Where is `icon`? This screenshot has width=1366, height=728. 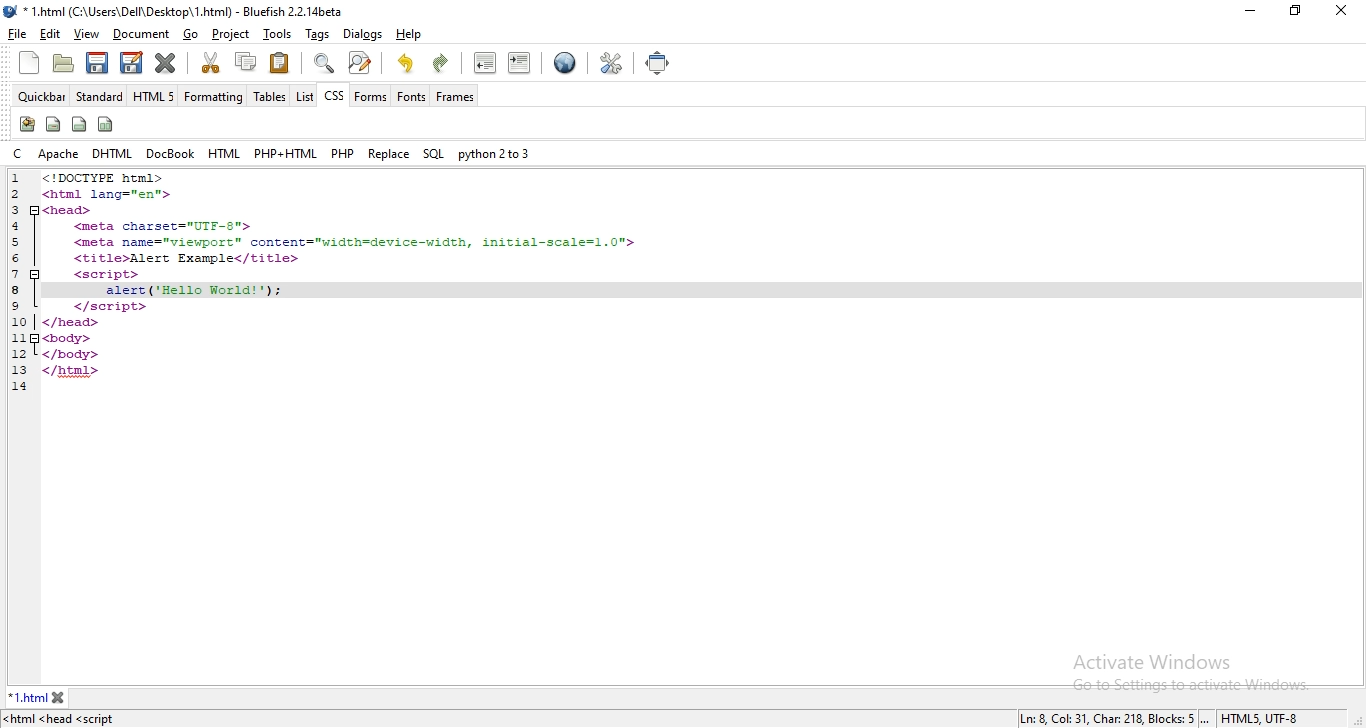
icon is located at coordinates (80, 124).